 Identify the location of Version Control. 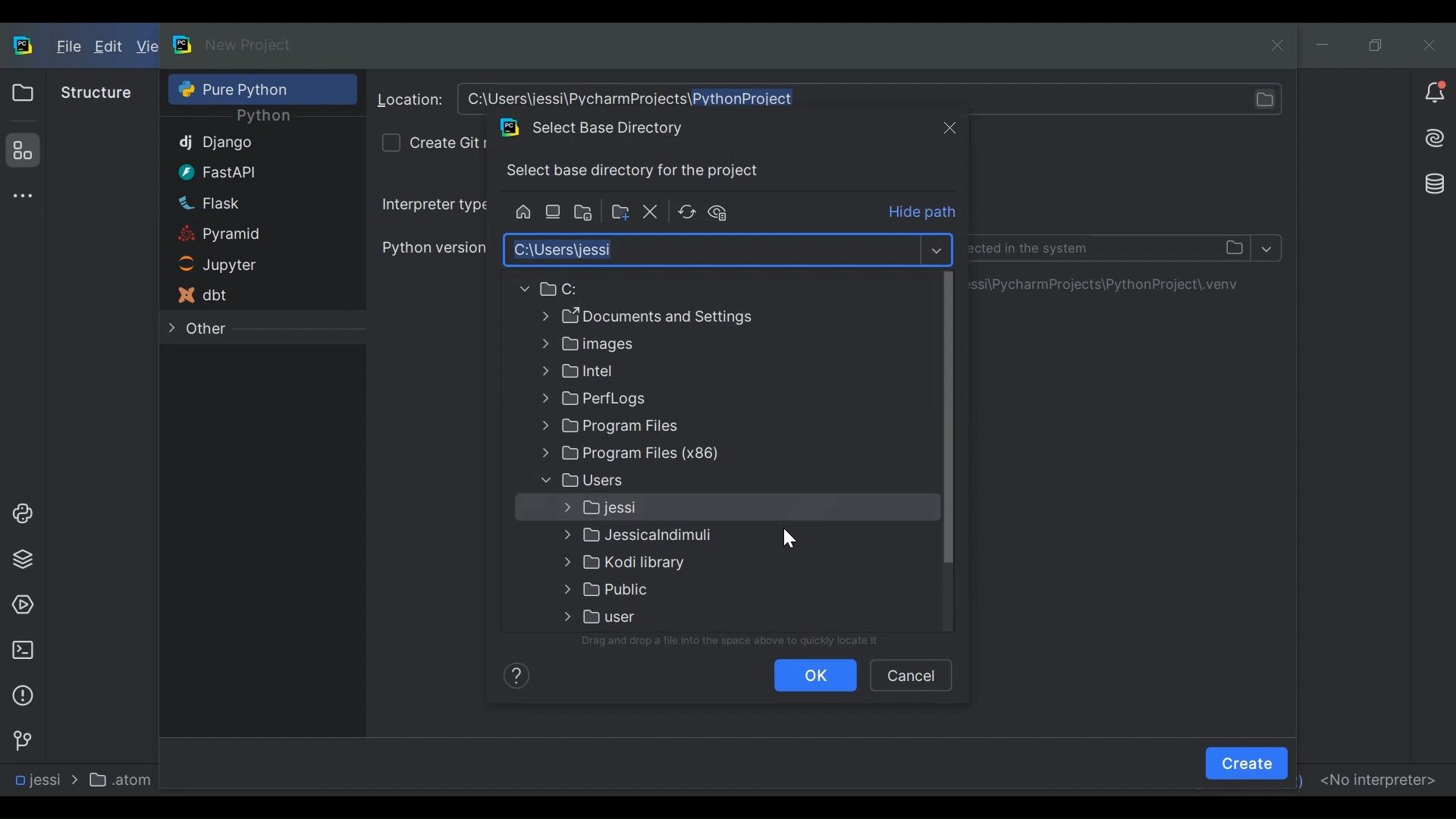
(21, 739).